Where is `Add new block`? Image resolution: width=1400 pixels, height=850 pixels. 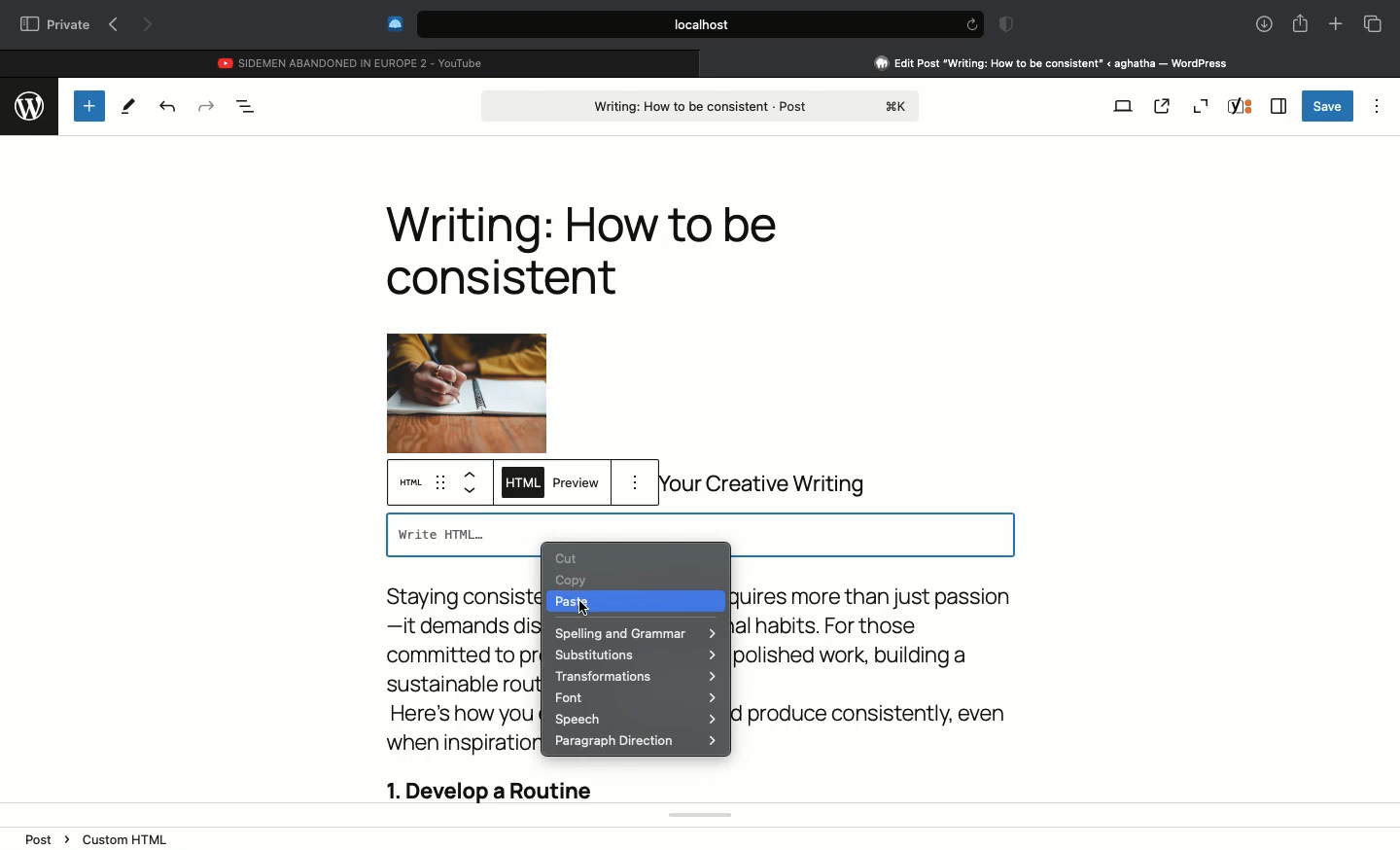 Add new block is located at coordinates (87, 105).